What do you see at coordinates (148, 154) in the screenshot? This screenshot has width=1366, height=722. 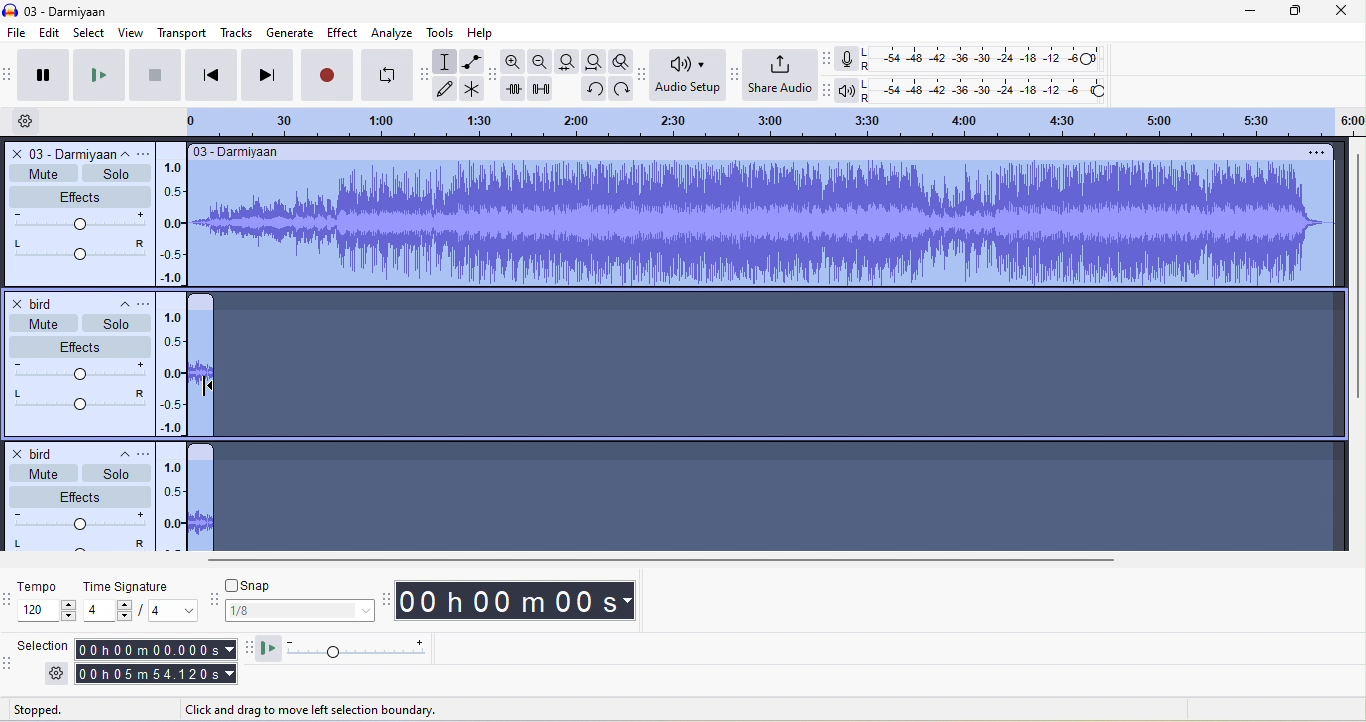 I see `open menu` at bounding box center [148, 154].